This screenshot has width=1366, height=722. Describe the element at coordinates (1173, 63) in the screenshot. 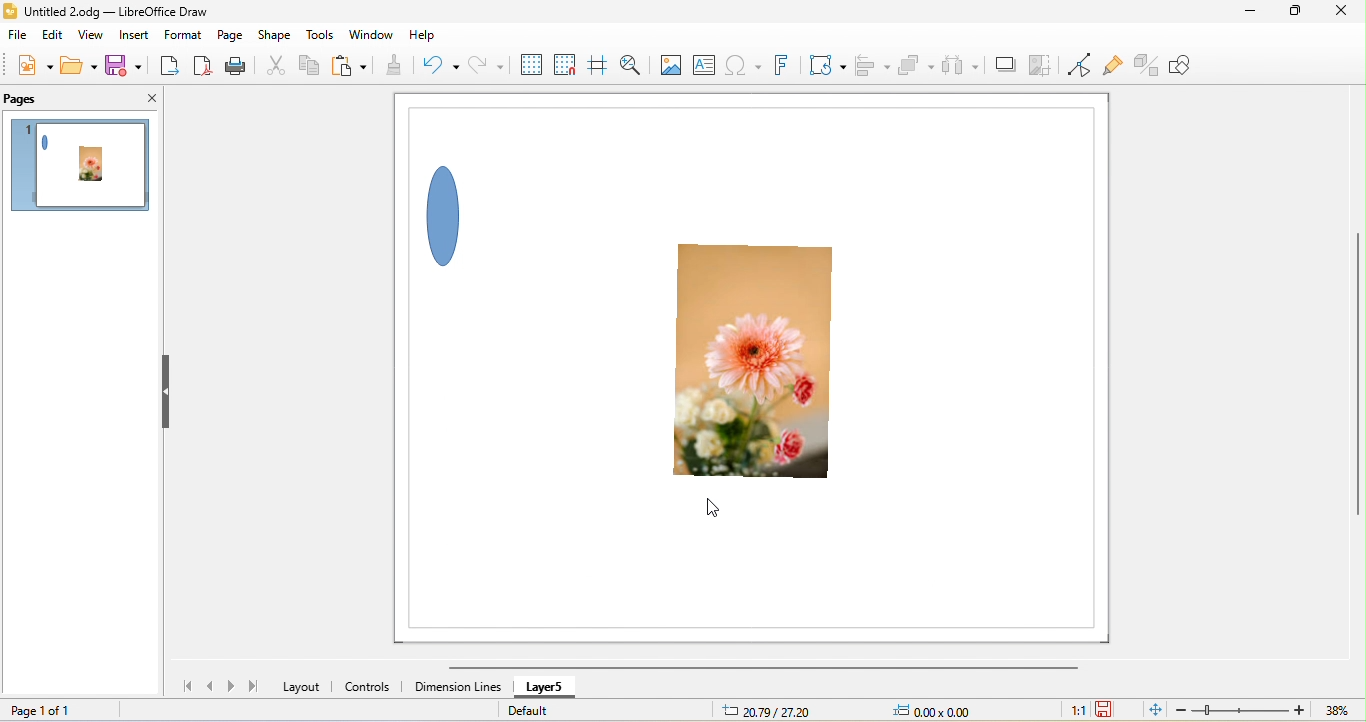

I see `show draw function ` at that location.